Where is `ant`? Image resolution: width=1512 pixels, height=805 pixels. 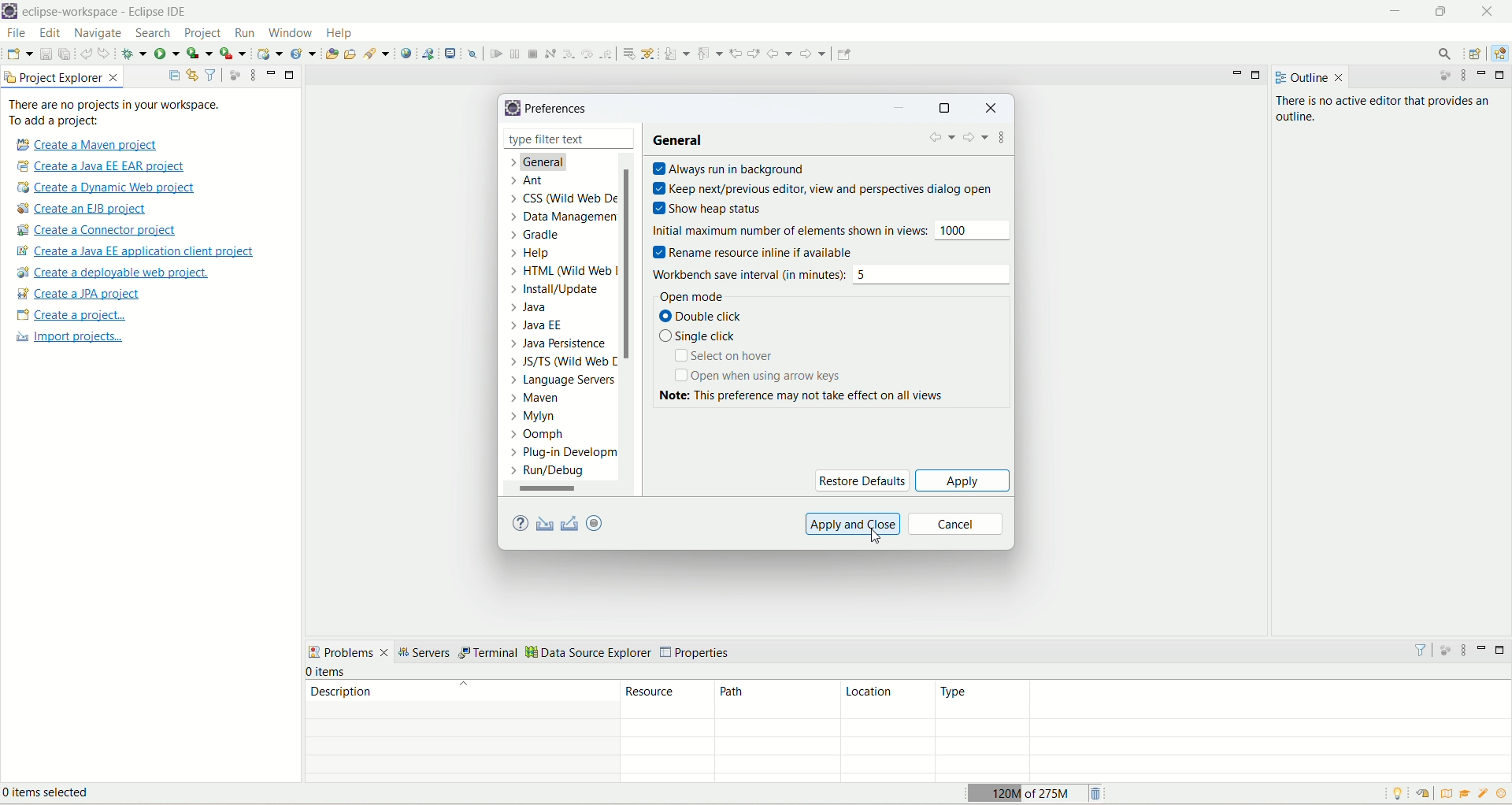 ant is located at coordinates (527, 181).